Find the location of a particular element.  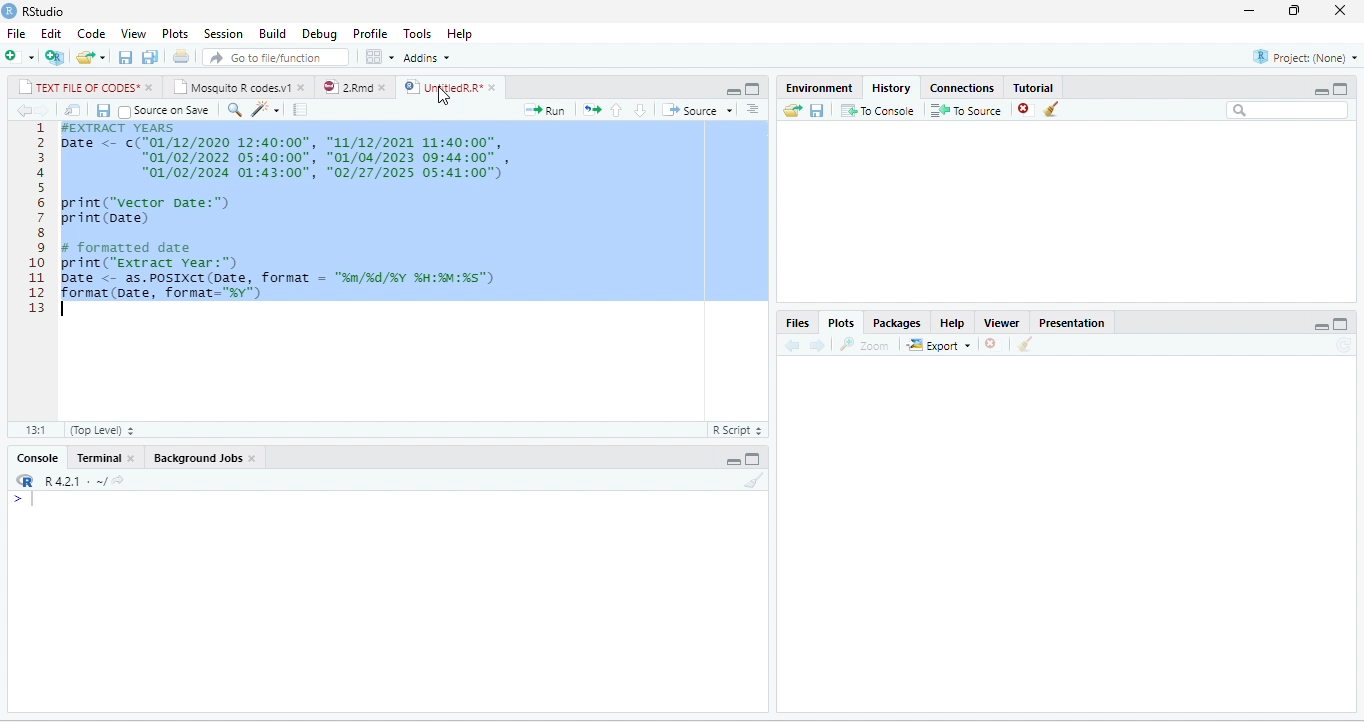

open folder is located at coordinates (793, 110).